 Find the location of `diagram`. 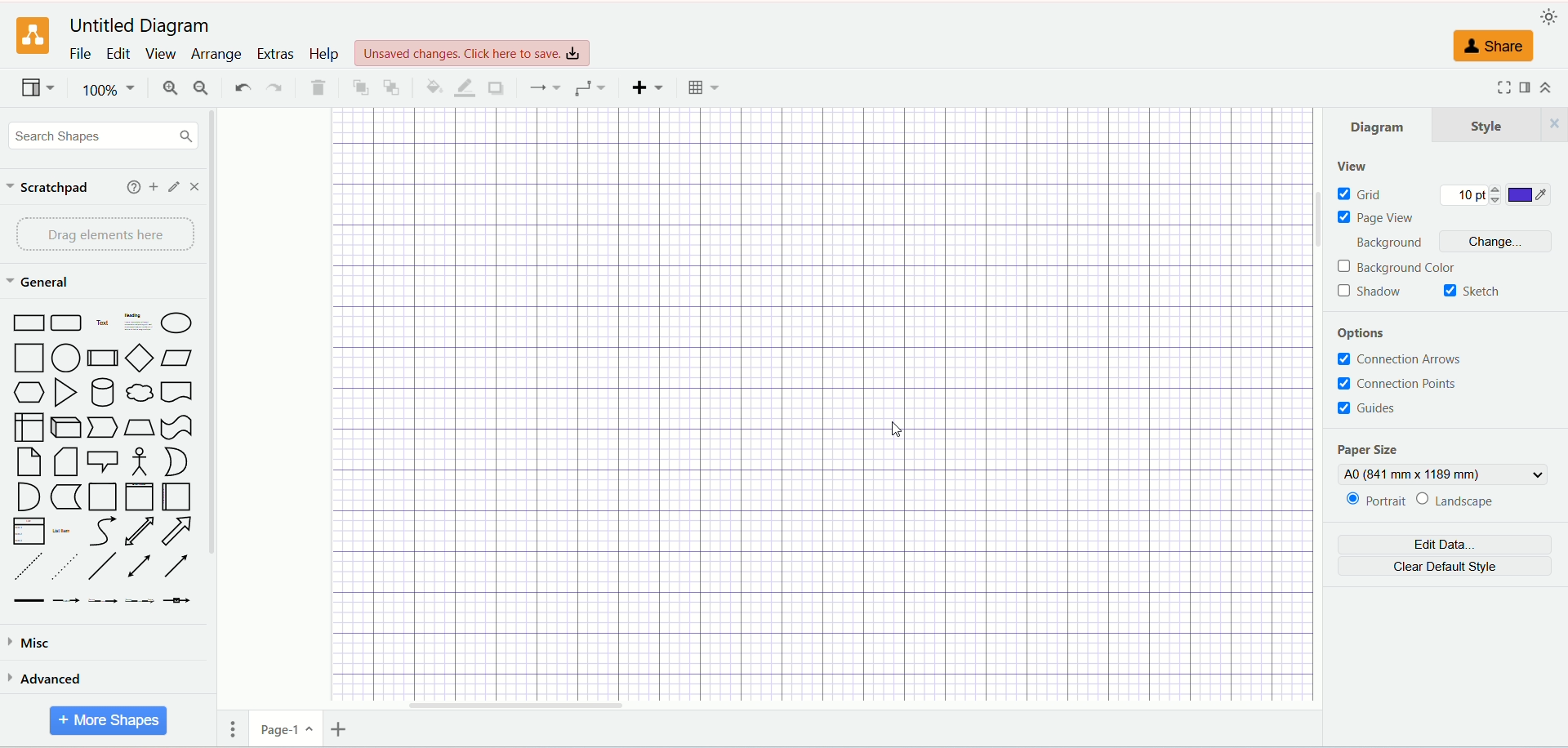

diagram is located at coordinates (1384, 124).